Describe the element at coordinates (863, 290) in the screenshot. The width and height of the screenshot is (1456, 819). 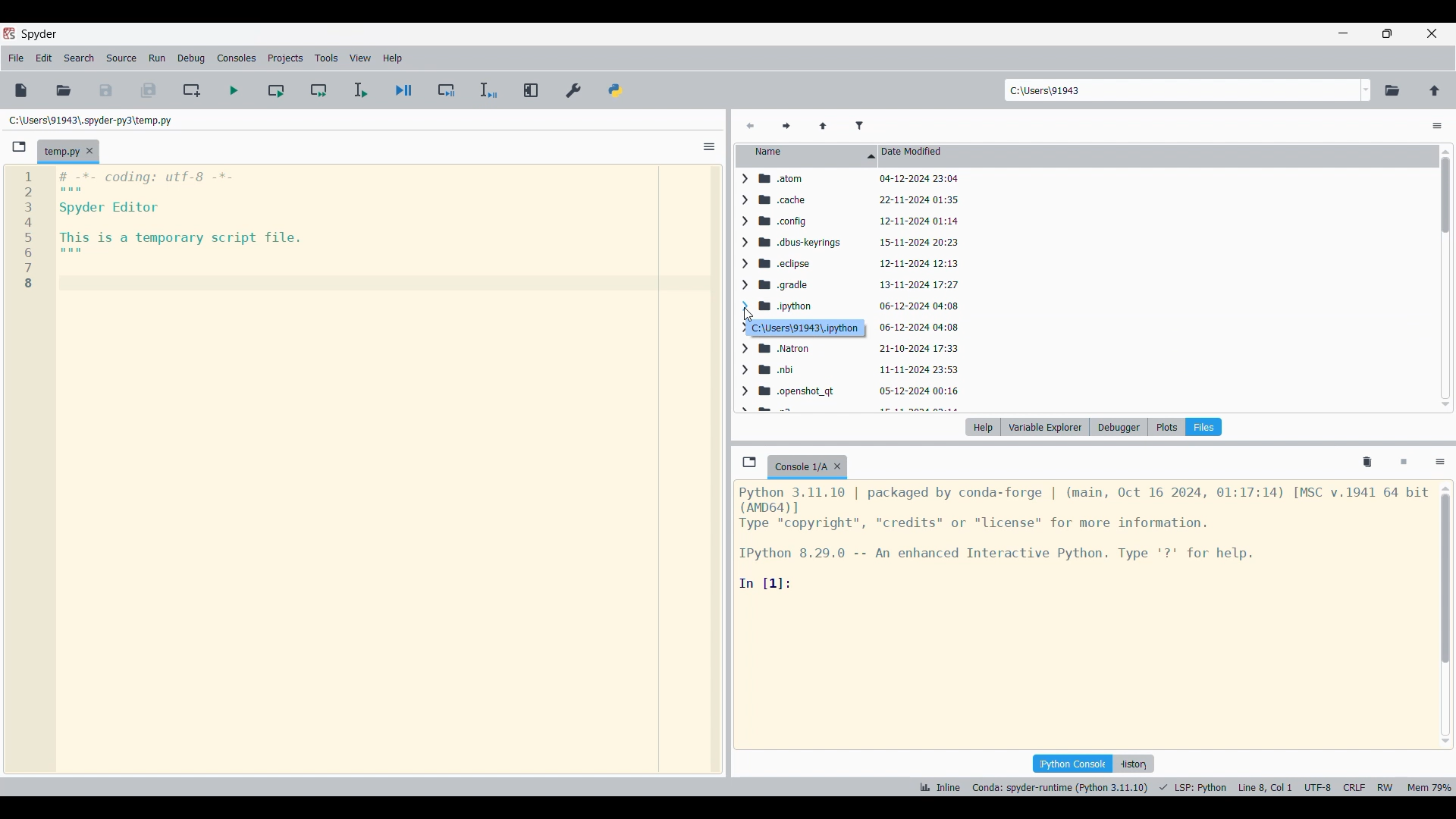
I see `Details of list of folders to choose from` at that location.